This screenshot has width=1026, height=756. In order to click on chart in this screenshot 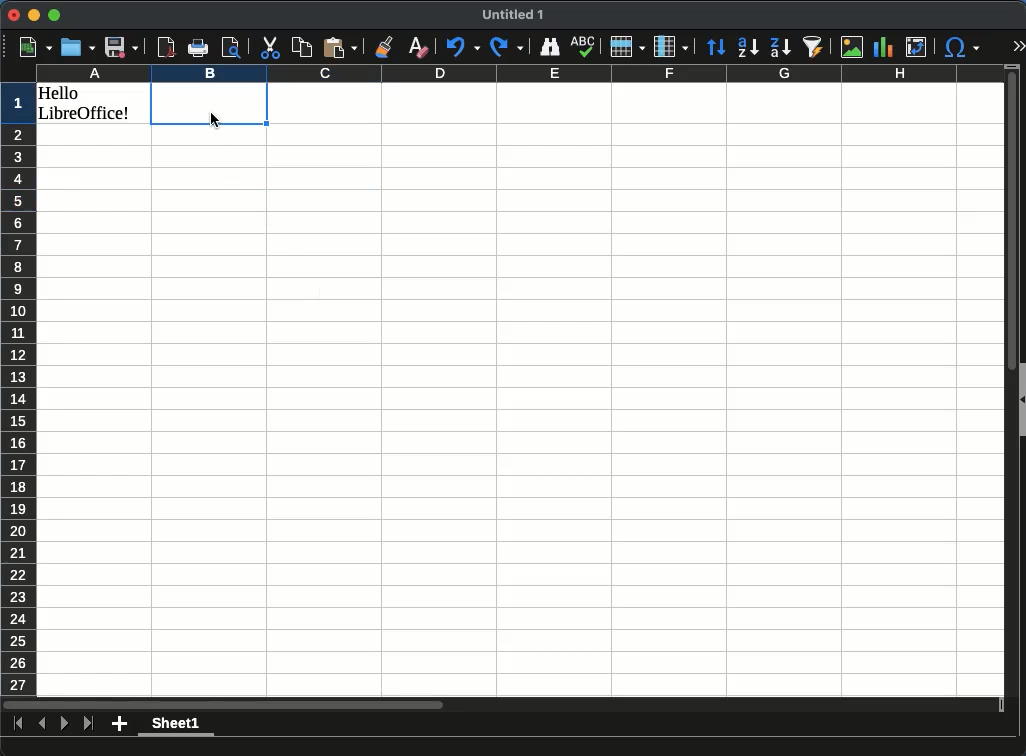, I will do `click(883, 47)`.